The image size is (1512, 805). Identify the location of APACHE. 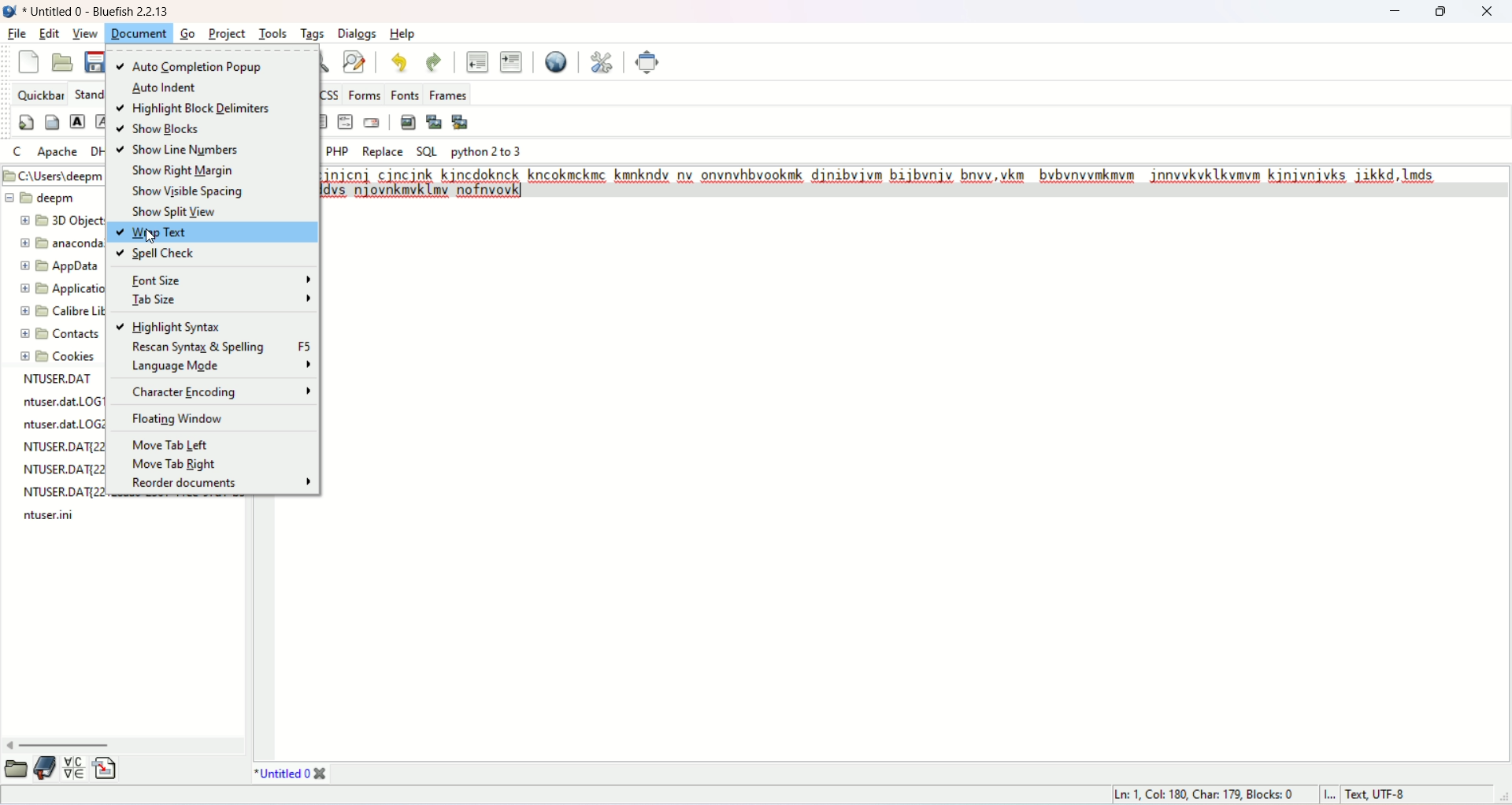
(58, 153).